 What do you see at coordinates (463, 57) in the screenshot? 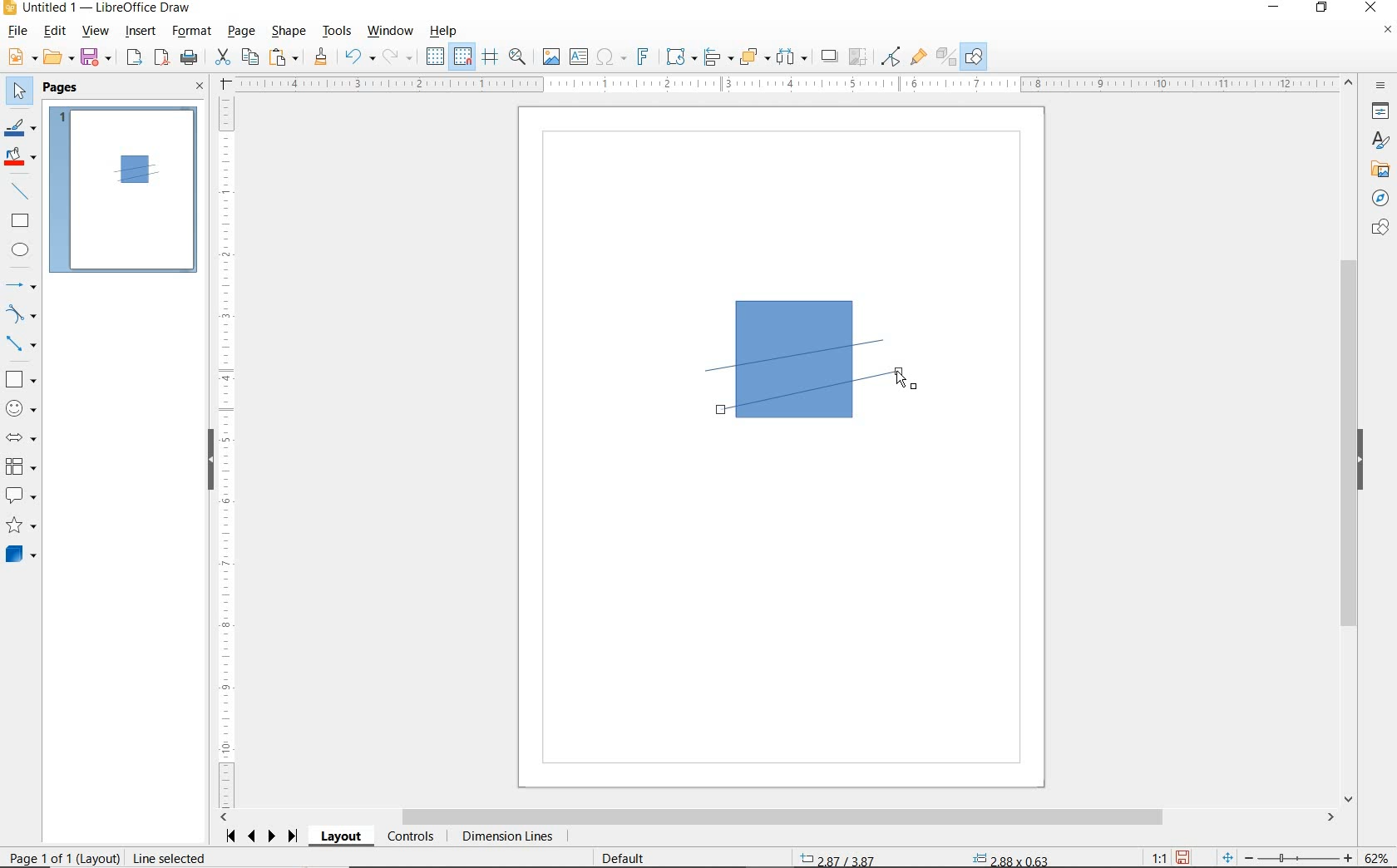
I see `SNAP TO GRID` at bounding box center [463, 57].